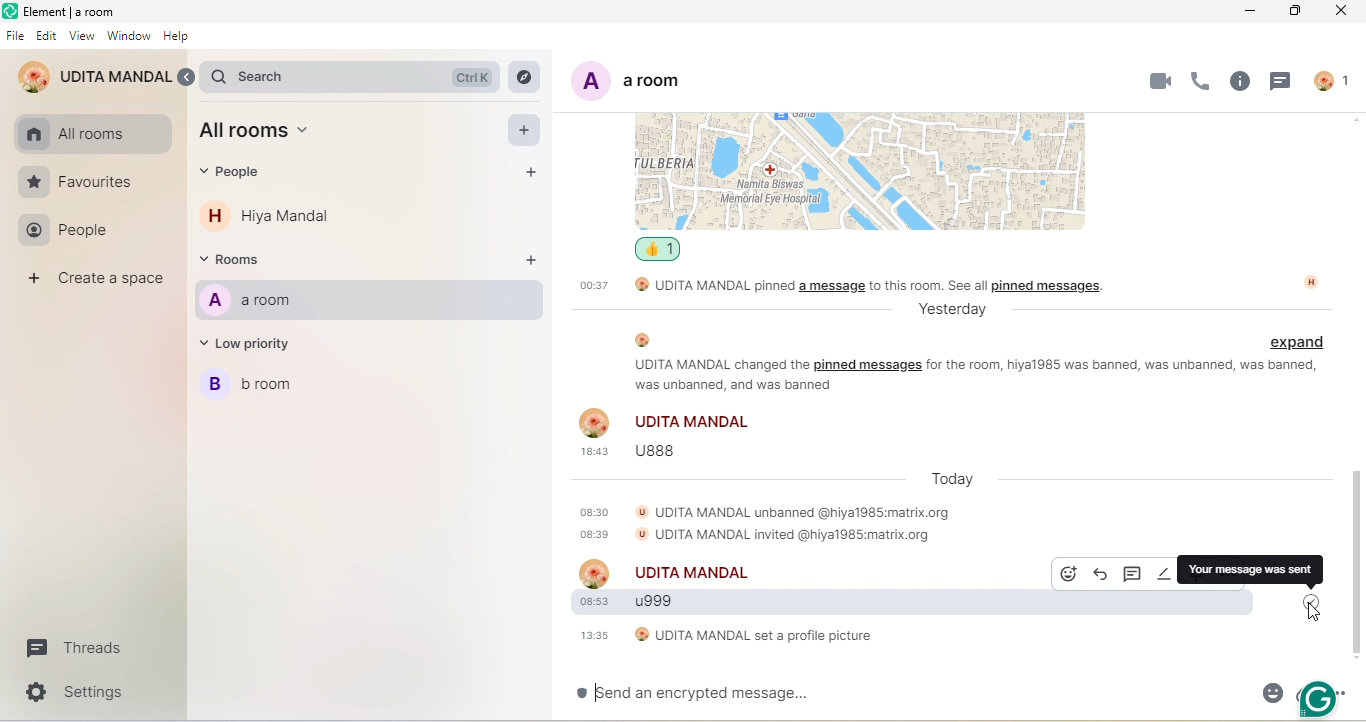 The height and width of the screenshot is (722, 1366). Describe the element at coordinates (959, 376) in the screenshot. I see `UDITA MANDAL changed the pinned messages for the room, hiya1985 was banned, was unbanned, was banned,
was unbanned, and was banned` at that location.